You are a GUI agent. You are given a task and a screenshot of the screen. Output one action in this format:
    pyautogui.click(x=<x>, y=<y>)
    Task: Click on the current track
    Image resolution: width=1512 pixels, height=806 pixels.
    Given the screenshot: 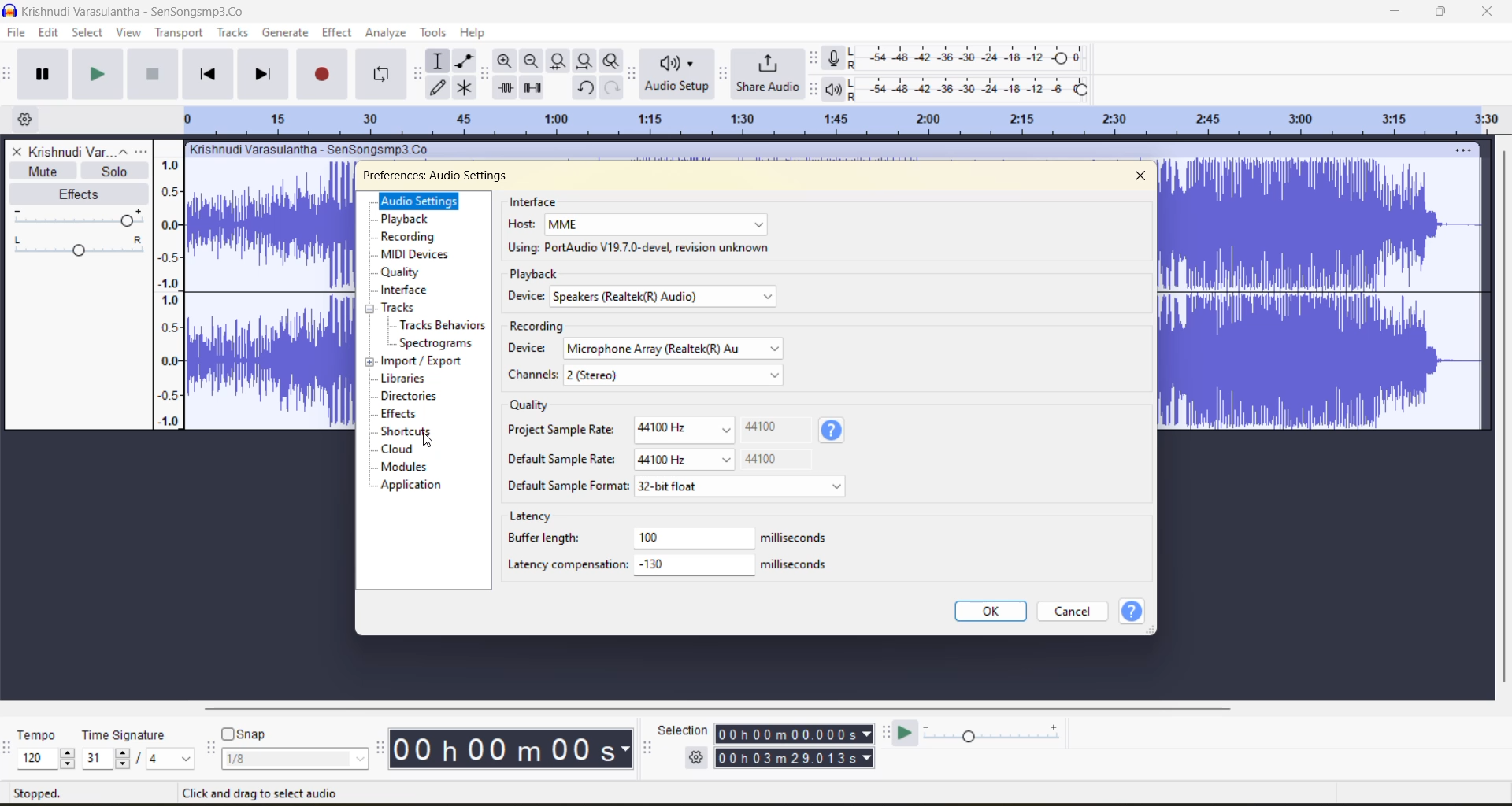 What is the action you would take?
    pyautogui.click(x=267, y=297)
    